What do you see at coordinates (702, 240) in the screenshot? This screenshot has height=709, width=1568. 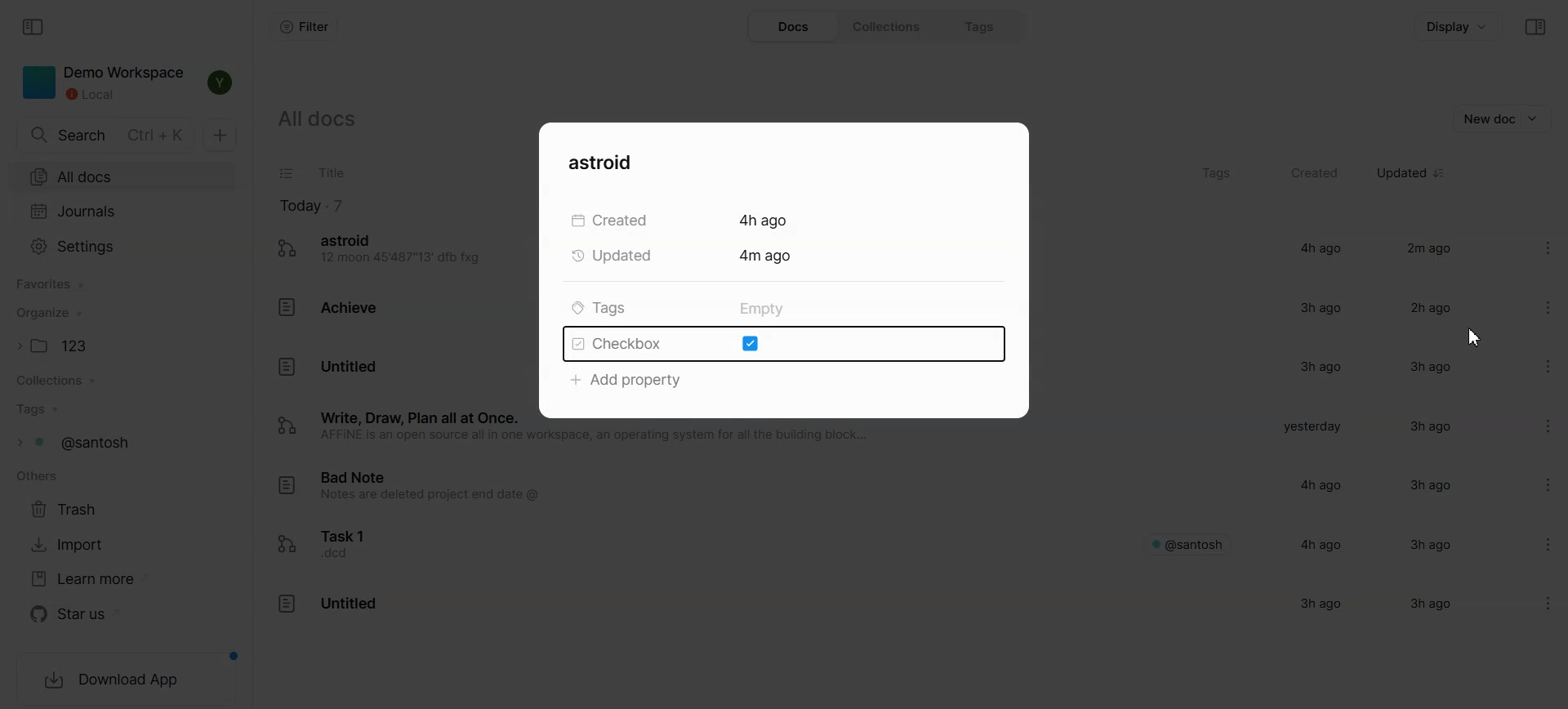 I see `£5 Created 4hago
© Updated 4m ago` at bounding box center [702, 240].